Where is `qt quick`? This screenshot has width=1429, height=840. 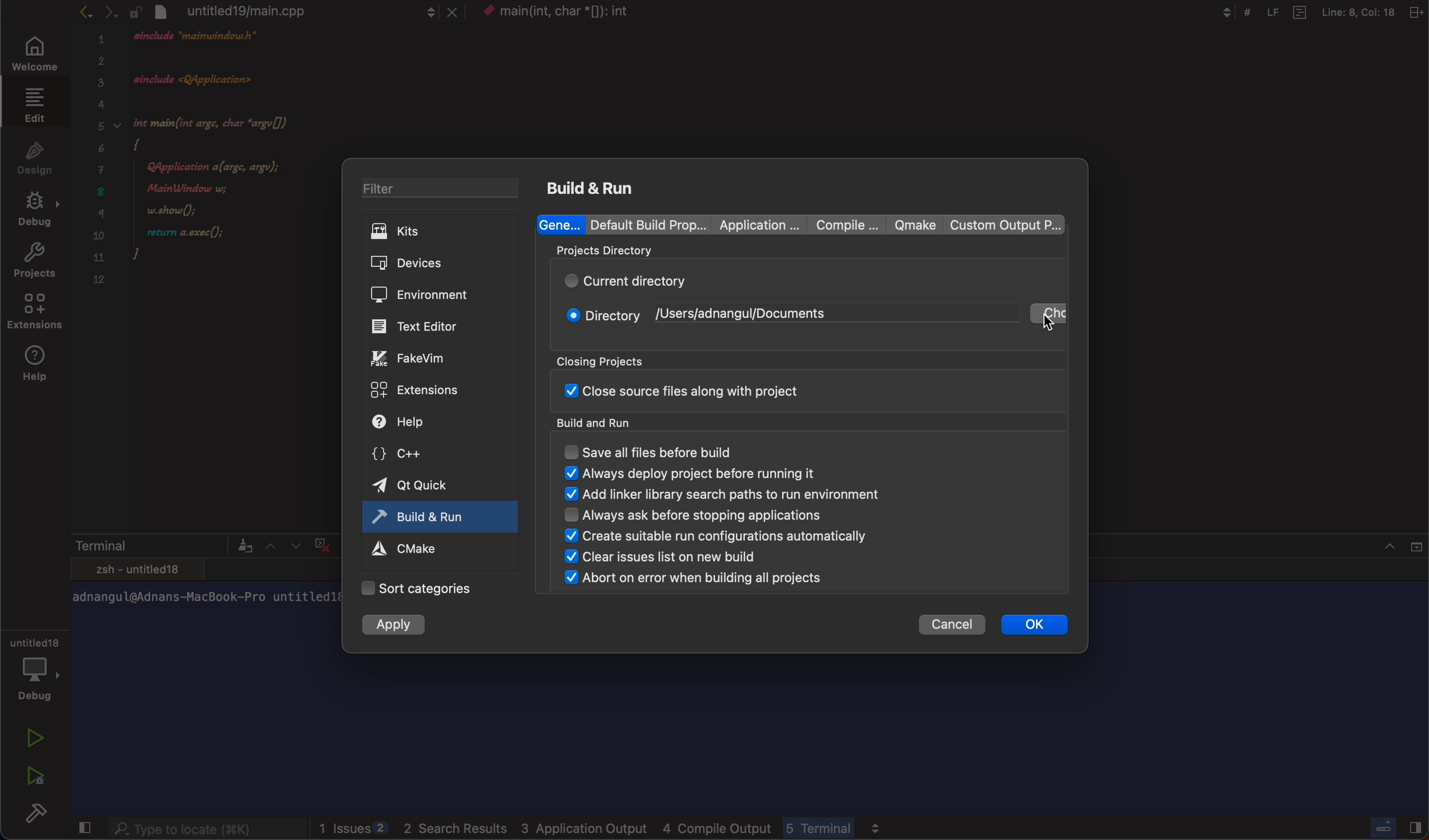 qt quick is located at coordinates (419, 484).